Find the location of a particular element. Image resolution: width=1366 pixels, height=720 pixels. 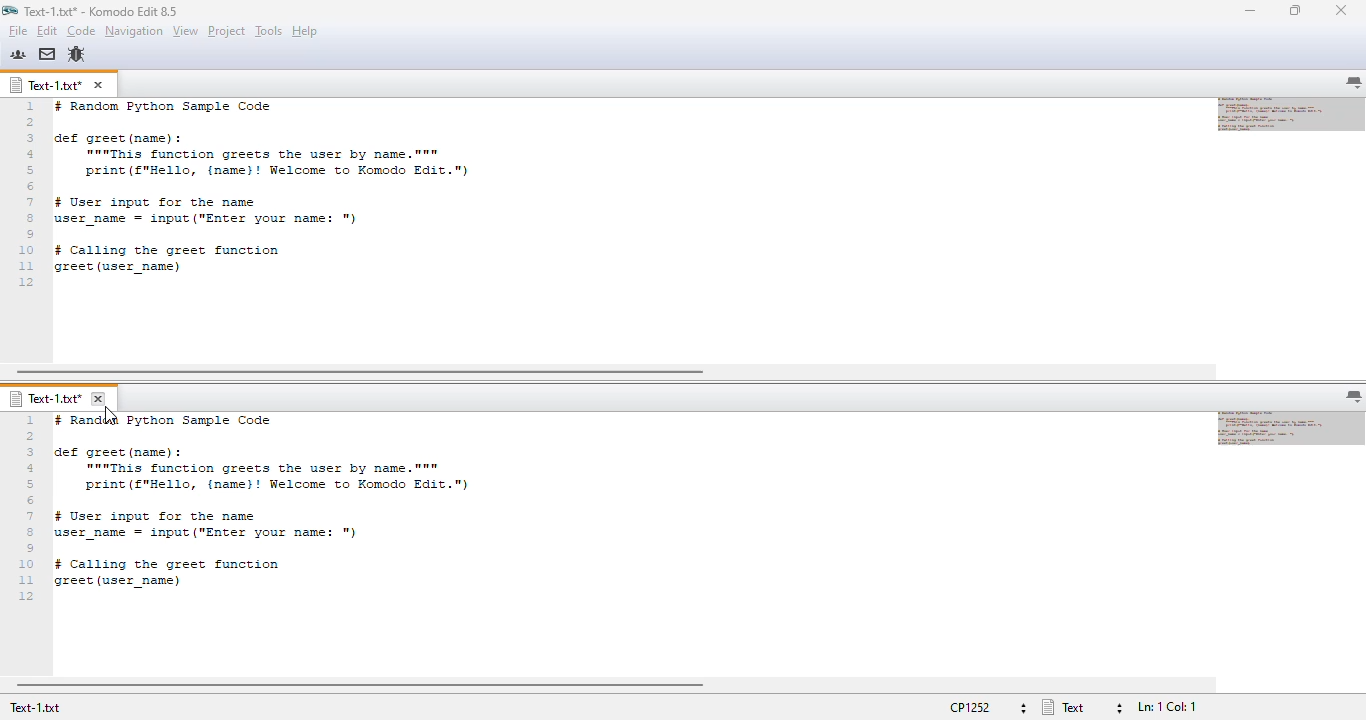

edit is located at coordinates (47, 31).